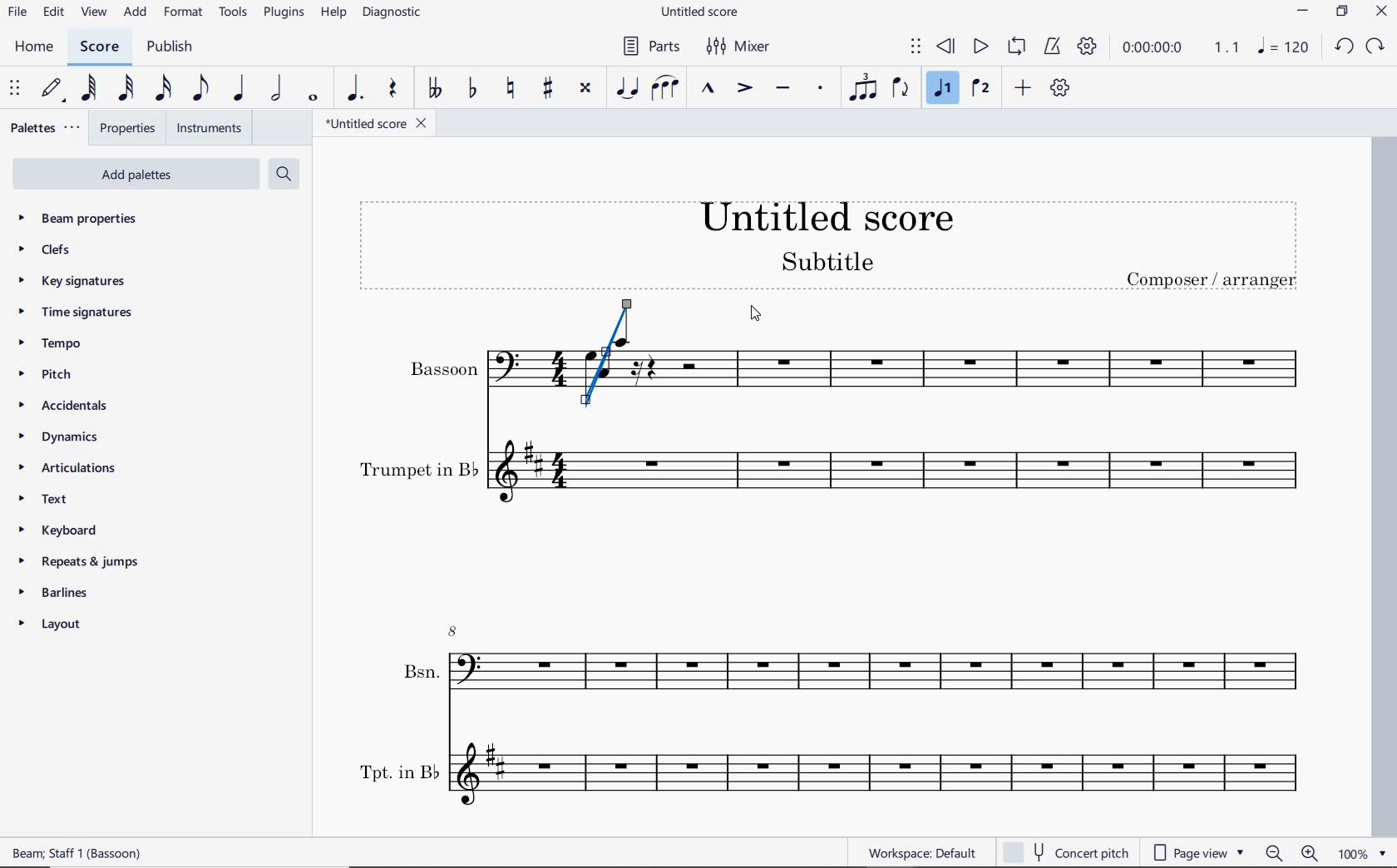  I want to click on clefs, so click(45, 249).